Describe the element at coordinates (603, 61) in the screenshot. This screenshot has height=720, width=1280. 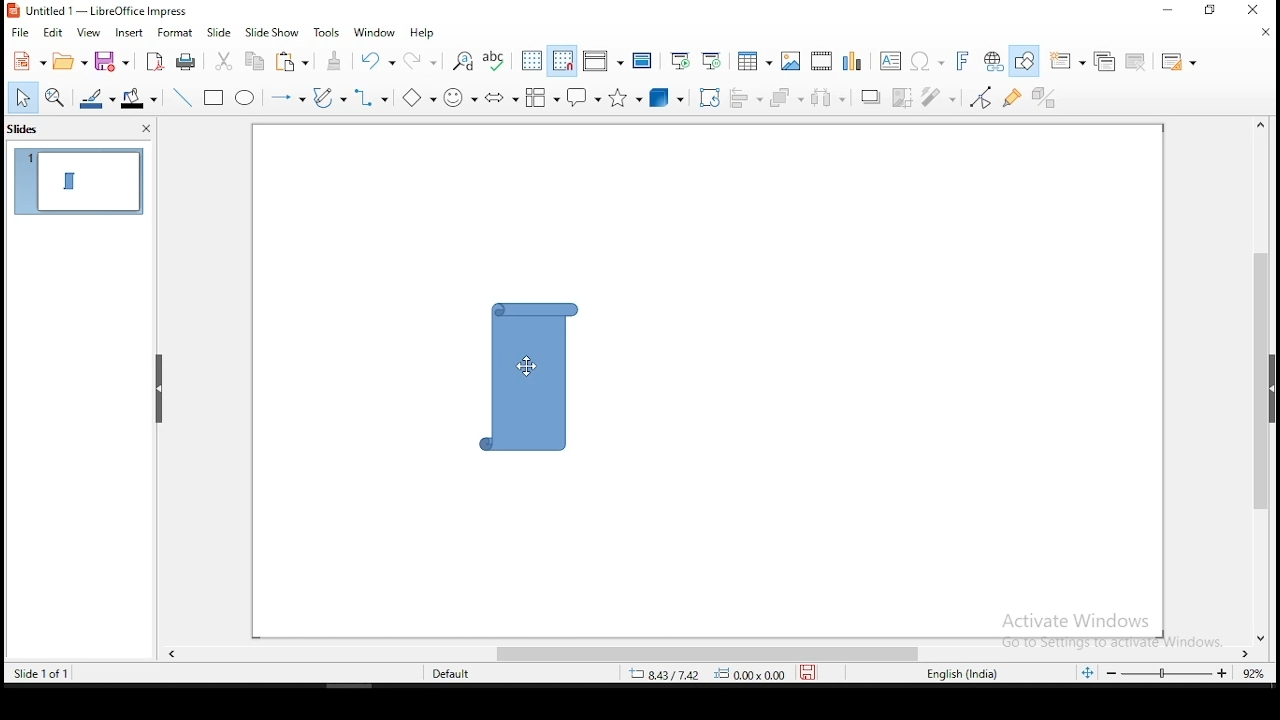
I see `display views` at that location.